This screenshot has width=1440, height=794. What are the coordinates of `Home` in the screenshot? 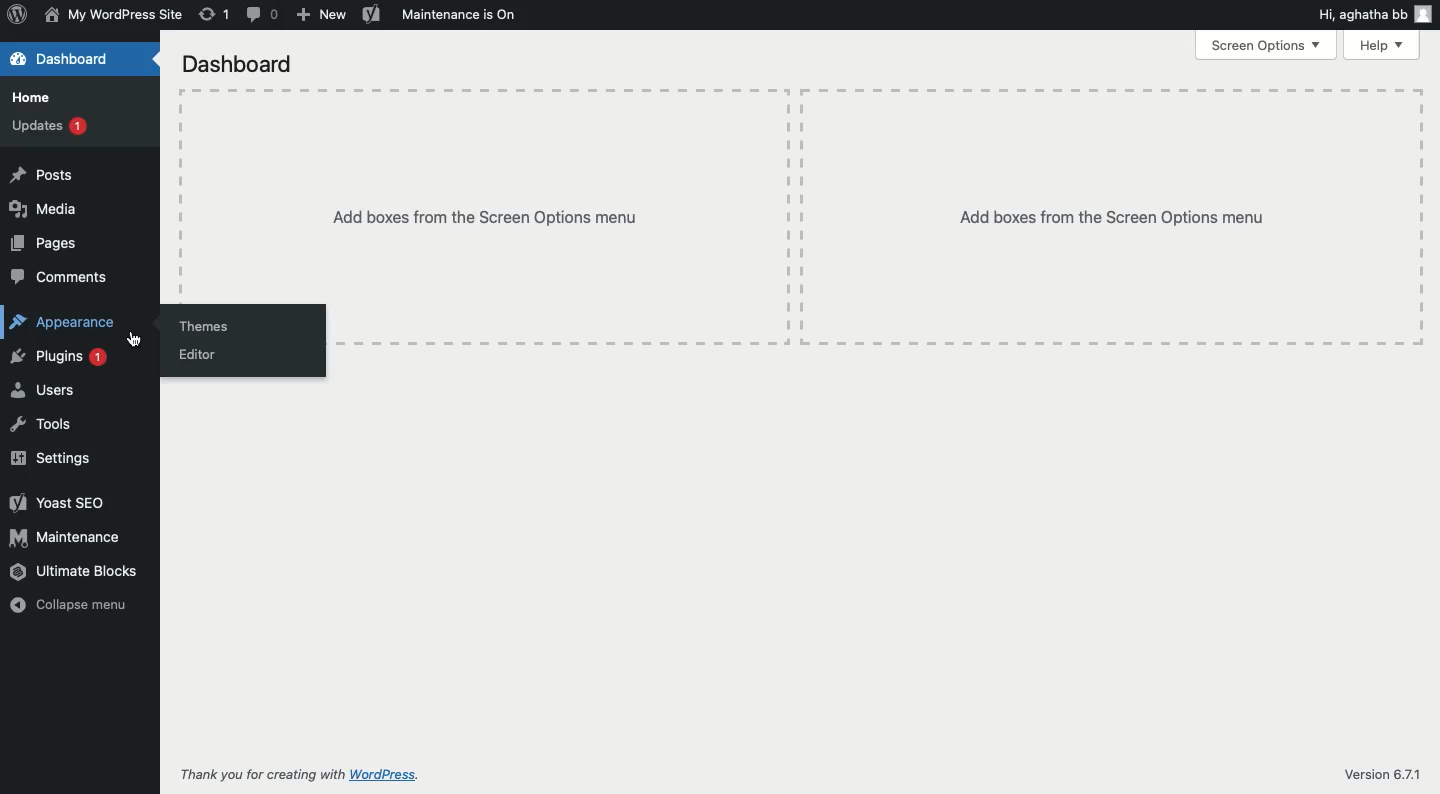 It's located at (39, 98).